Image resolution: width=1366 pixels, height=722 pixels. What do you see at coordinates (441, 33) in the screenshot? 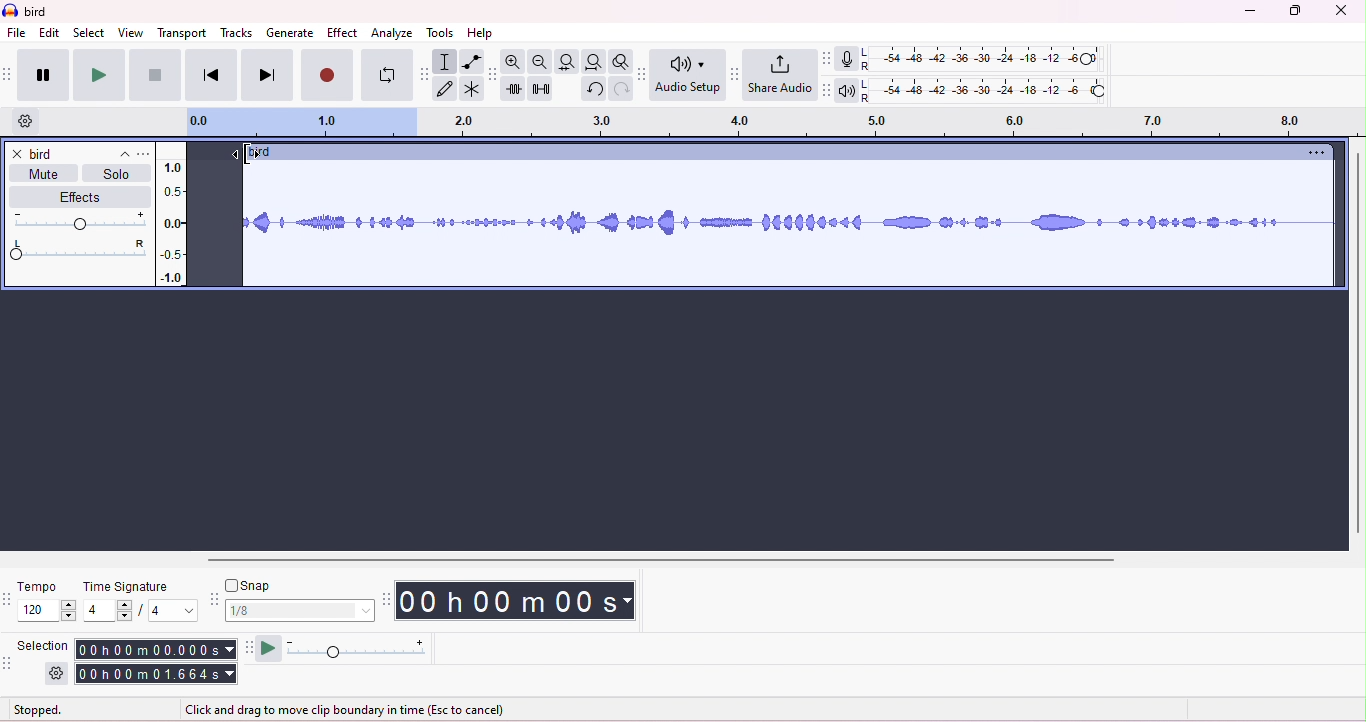
I see `tools` at bounding box center [441, 33].